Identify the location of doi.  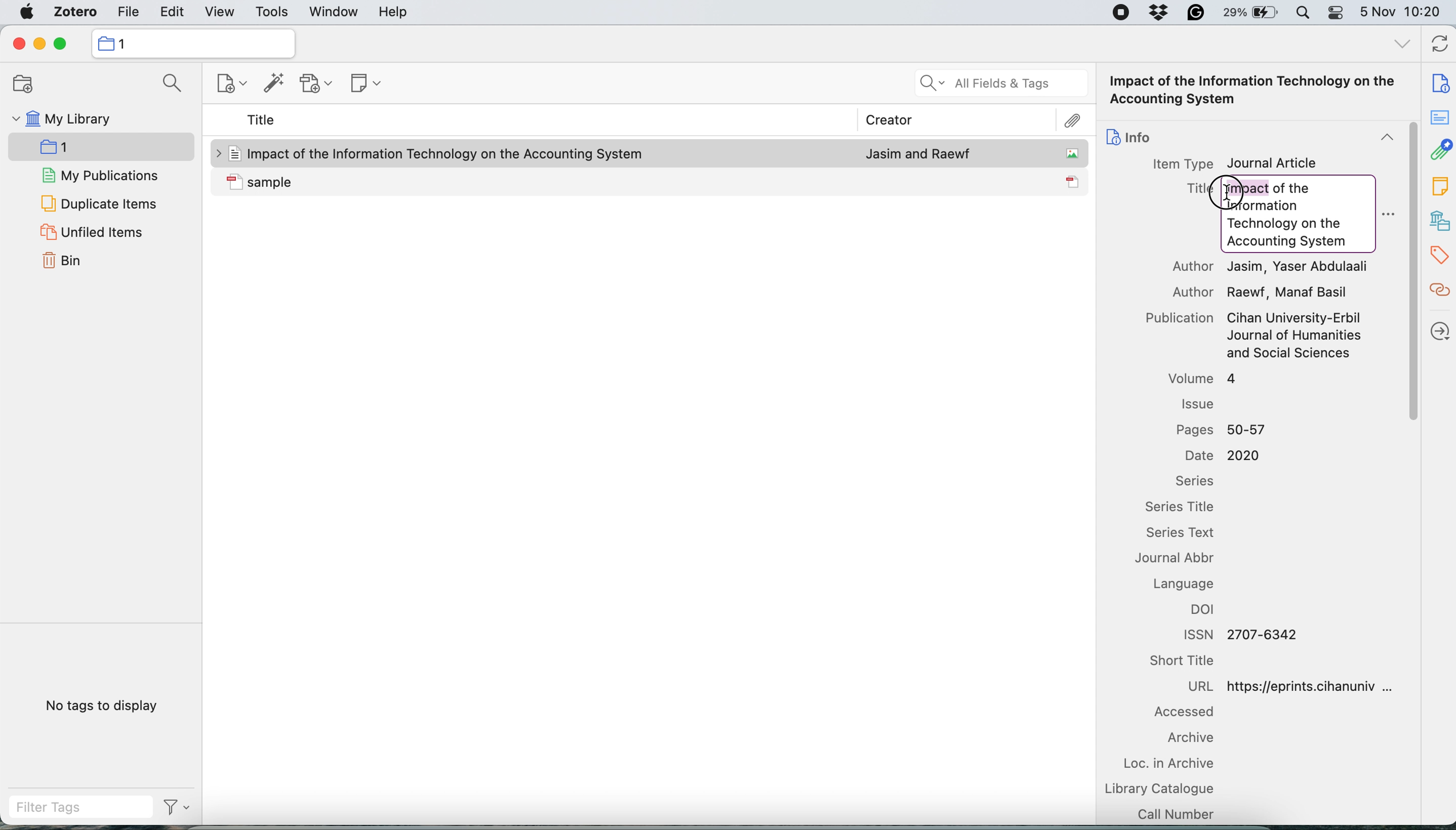
(1205, 609).